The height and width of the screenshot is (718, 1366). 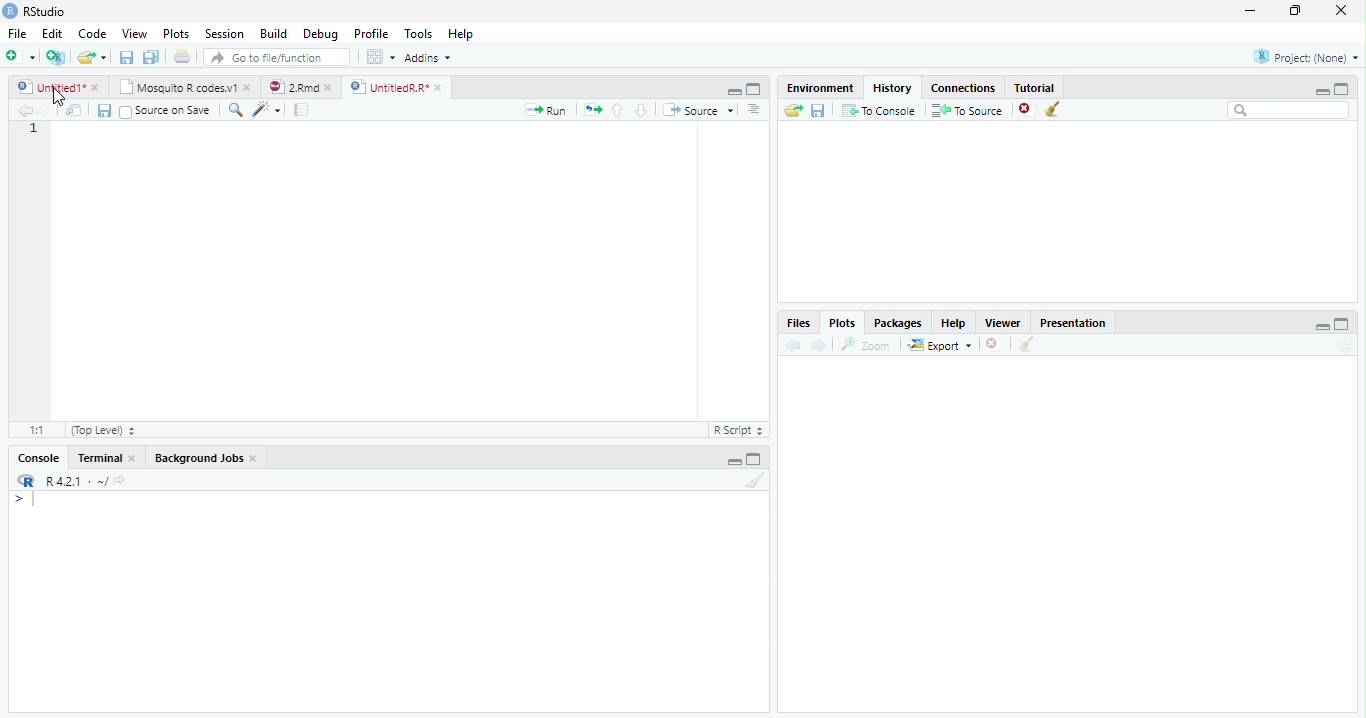 I want to click on Untitled, so click(x=59, y=87).